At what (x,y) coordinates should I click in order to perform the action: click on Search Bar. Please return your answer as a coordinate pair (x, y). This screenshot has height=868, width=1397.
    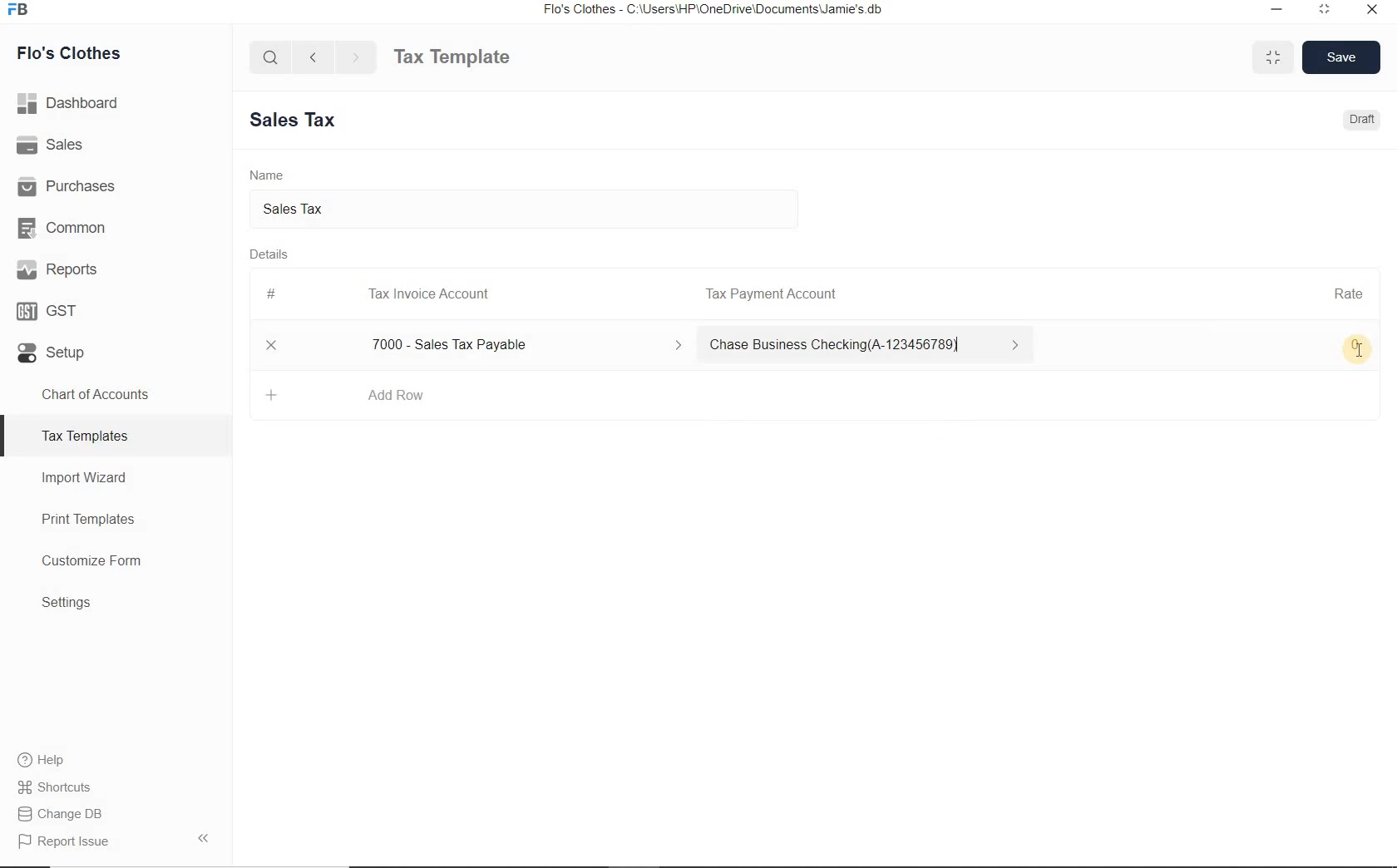
    Looking at the image, I should click on (271, 56).